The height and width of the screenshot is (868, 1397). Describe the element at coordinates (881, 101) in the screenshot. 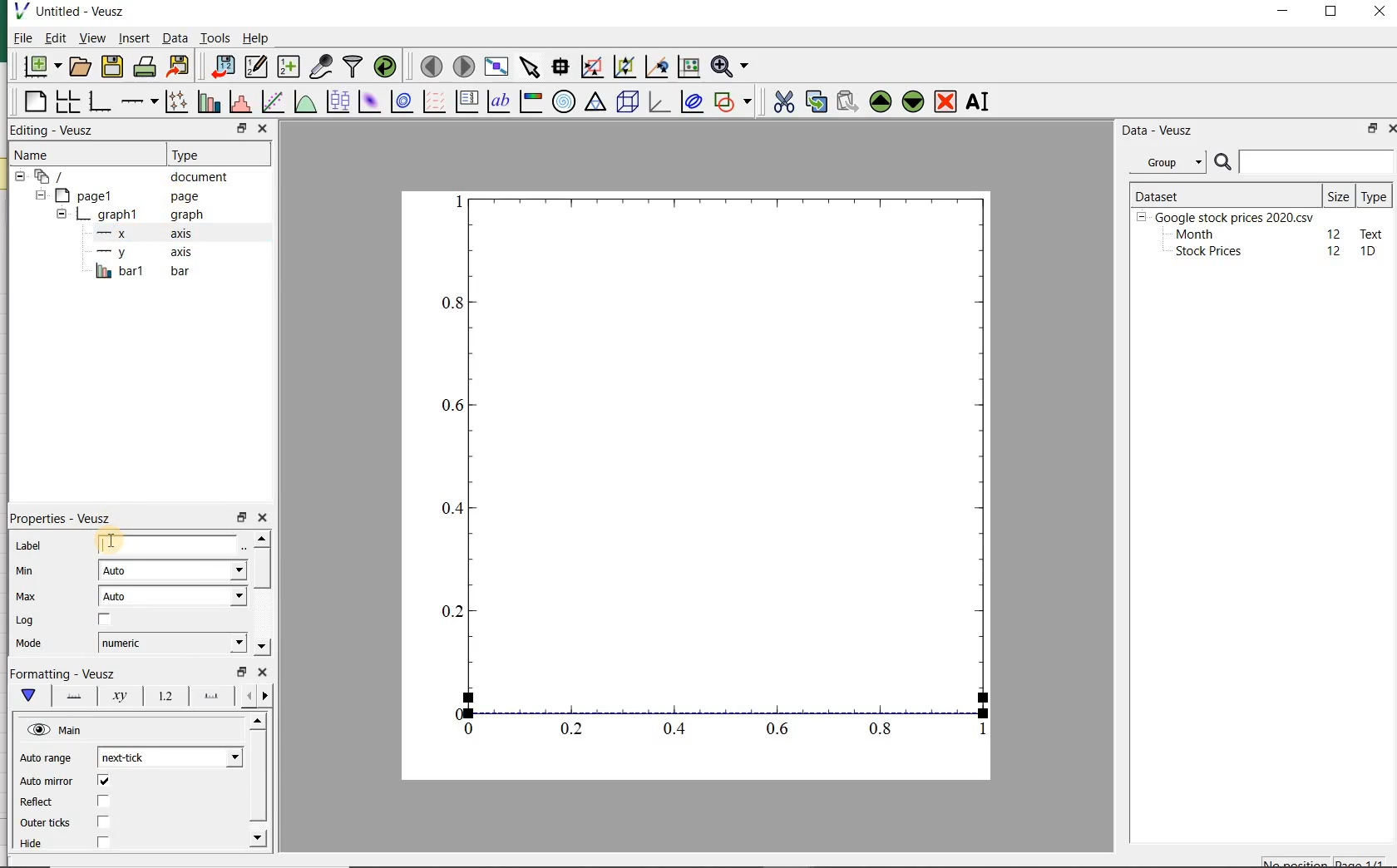

I see `move the selected widget up` at that location.